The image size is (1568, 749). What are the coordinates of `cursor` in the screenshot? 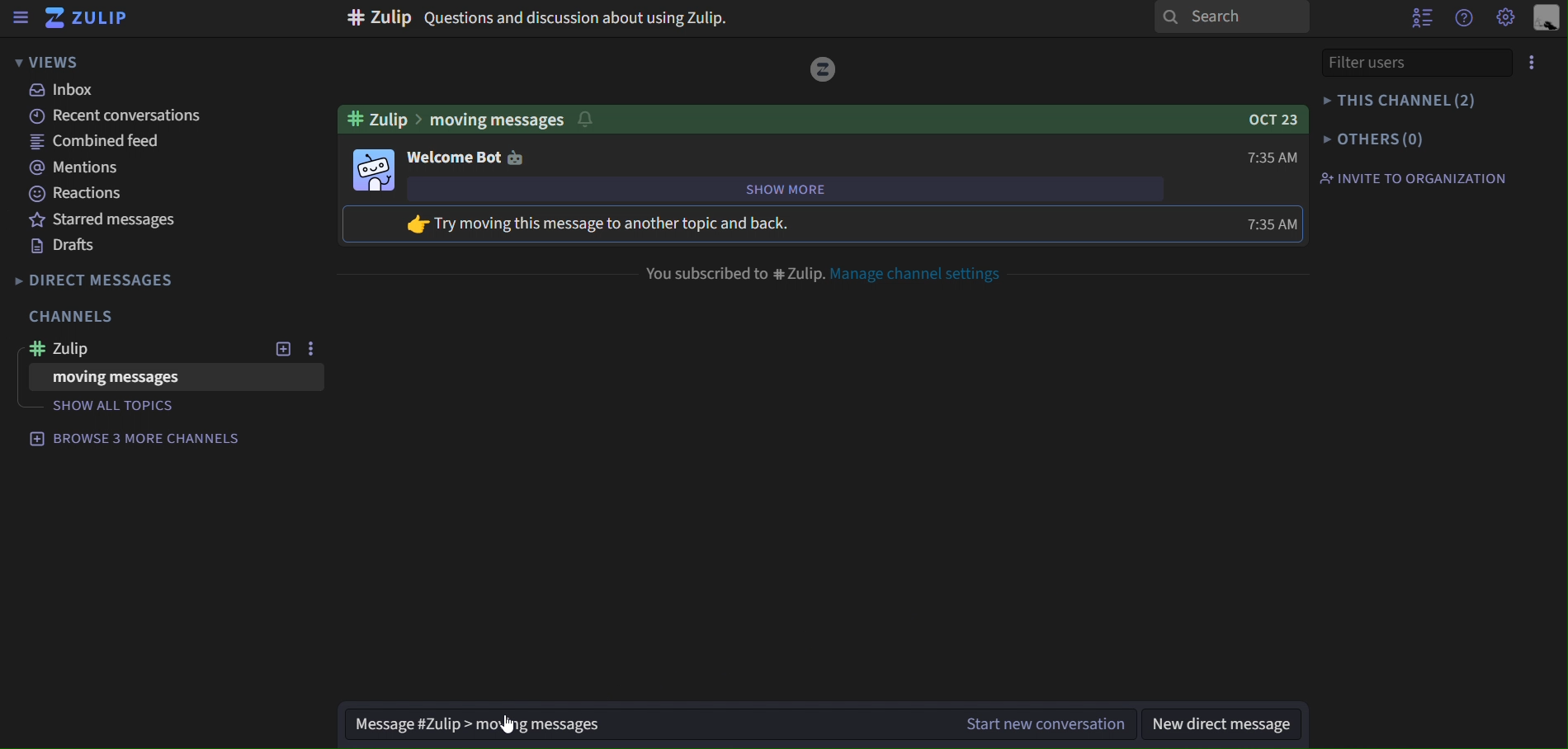 It's located at (512, 724).